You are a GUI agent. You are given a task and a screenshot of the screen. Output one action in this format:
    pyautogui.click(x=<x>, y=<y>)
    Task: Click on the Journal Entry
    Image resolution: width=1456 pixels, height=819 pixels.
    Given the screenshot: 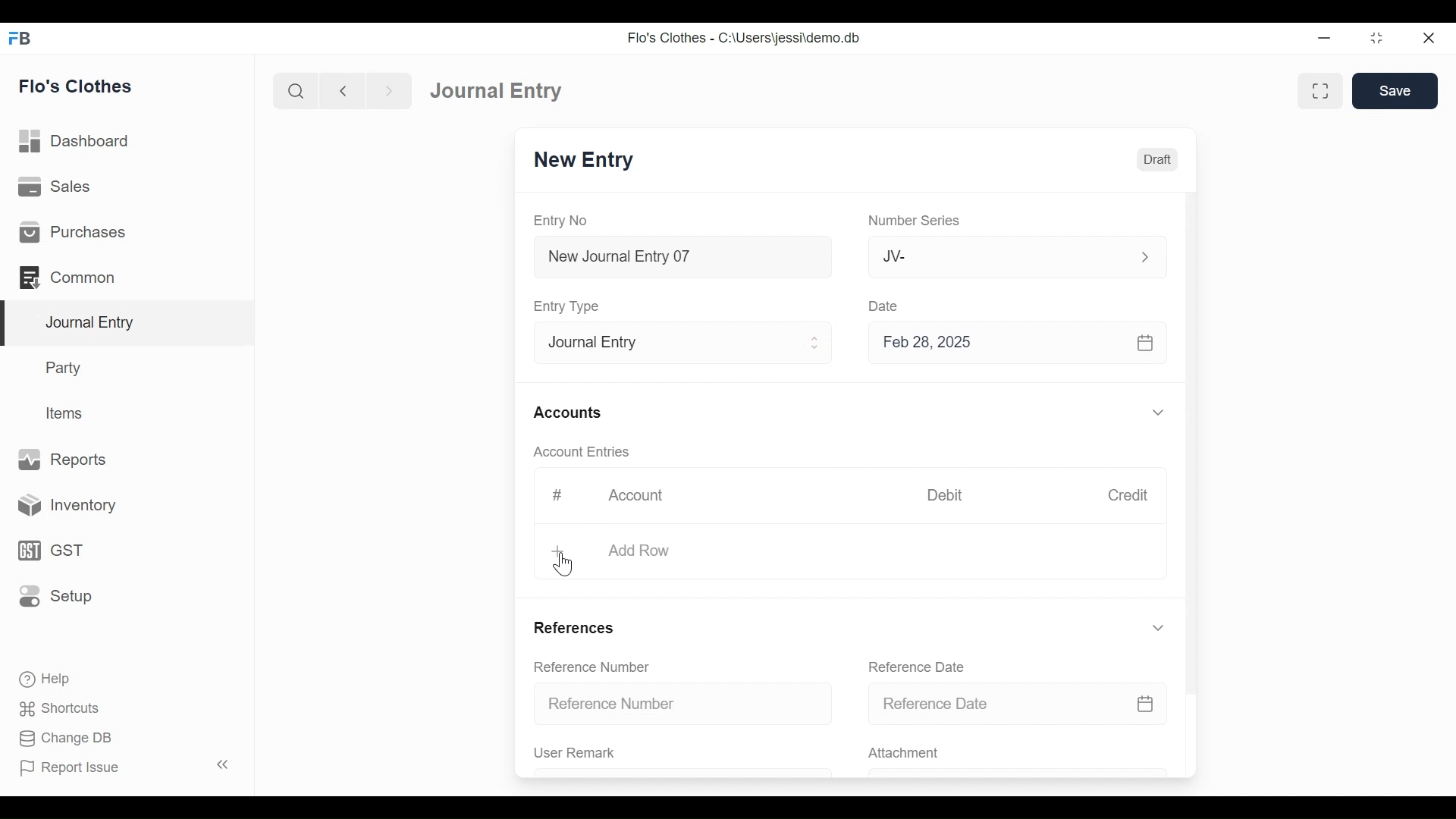 What is the action you would take?
    pyautogui.click(x=130, y=324)
    